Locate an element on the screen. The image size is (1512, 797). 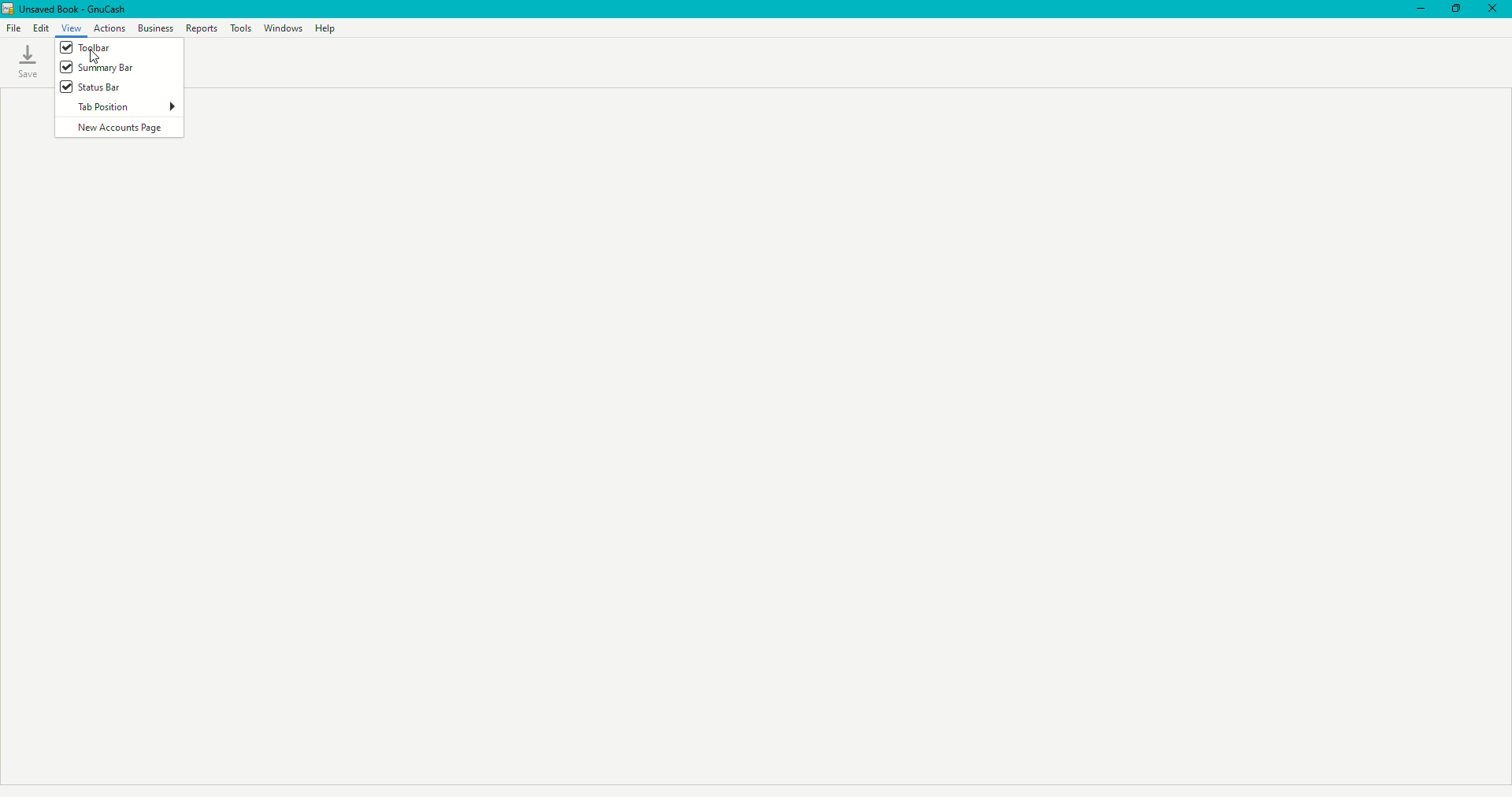
Help is located at coordinates (328, 29).